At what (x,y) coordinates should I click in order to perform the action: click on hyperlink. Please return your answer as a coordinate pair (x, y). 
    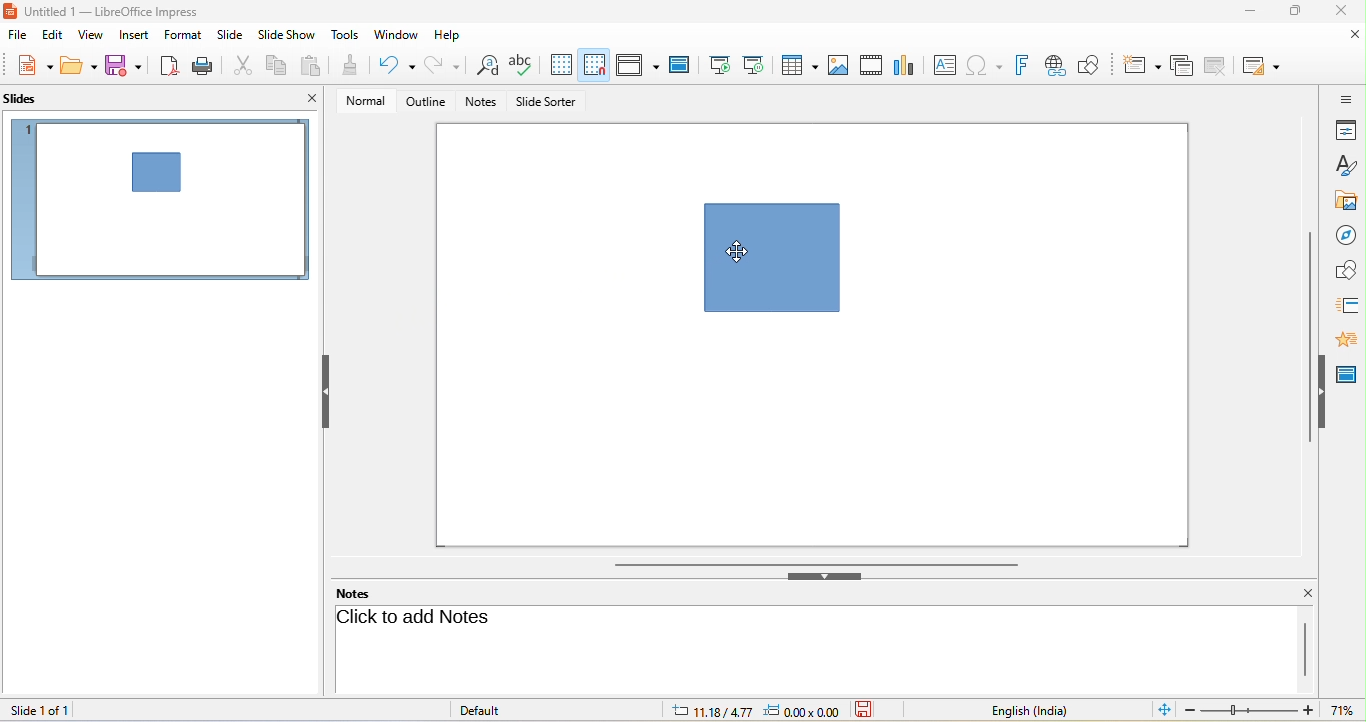
    Looking at the image, I should click on (1057, 65).